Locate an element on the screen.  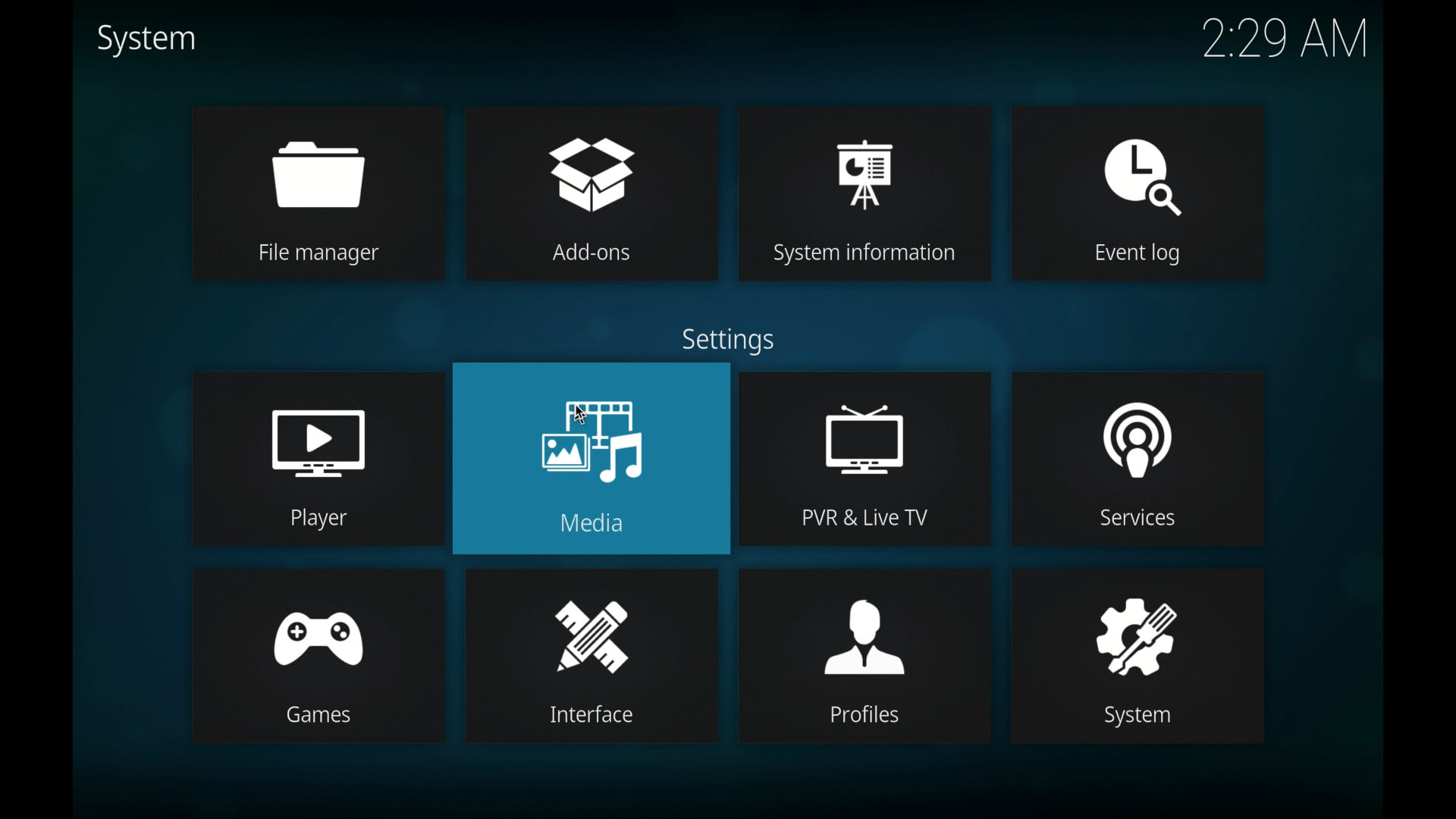
Interface is located at coordinates (599, 713).